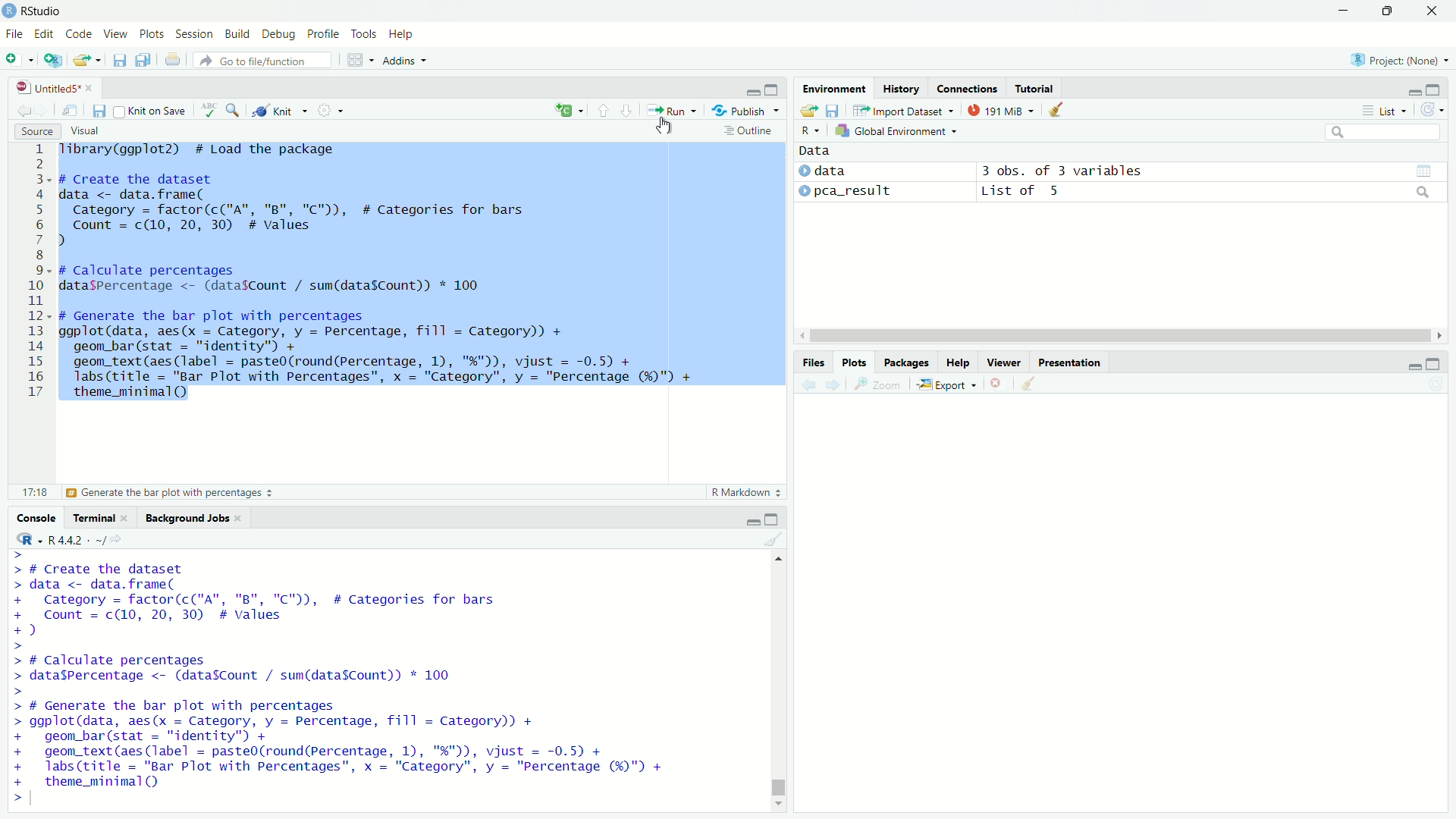 The height and width of the screenshot is (819, 1456). What do you see at coordinates (36, 130) in the screenshot?
I see `source` at bounding box center [36, 130].